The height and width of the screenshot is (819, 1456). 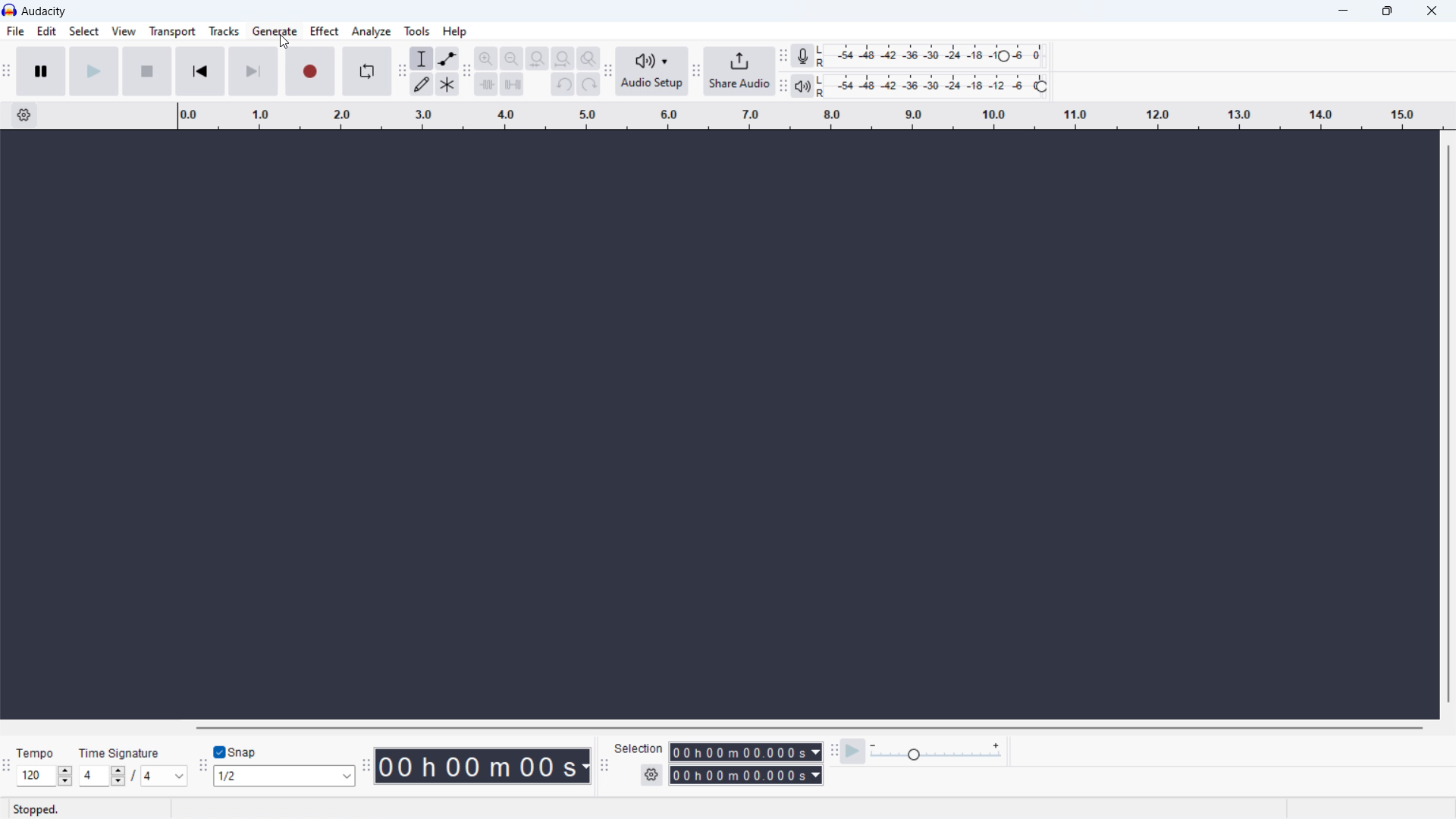 I want to click on stop, so click(x=147, y=71).